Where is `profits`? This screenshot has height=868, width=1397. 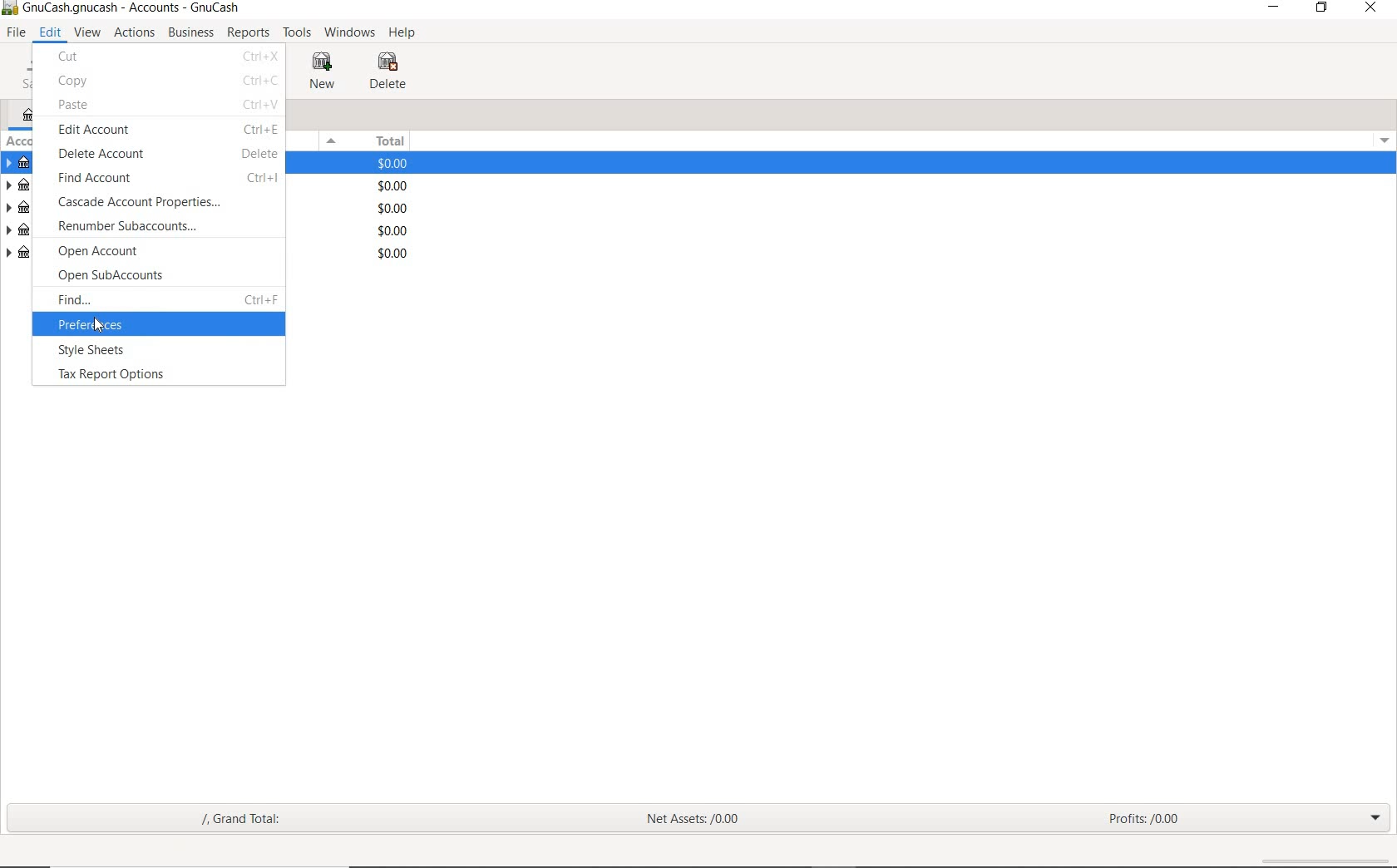 profits is located at coordinates (1146, 814).